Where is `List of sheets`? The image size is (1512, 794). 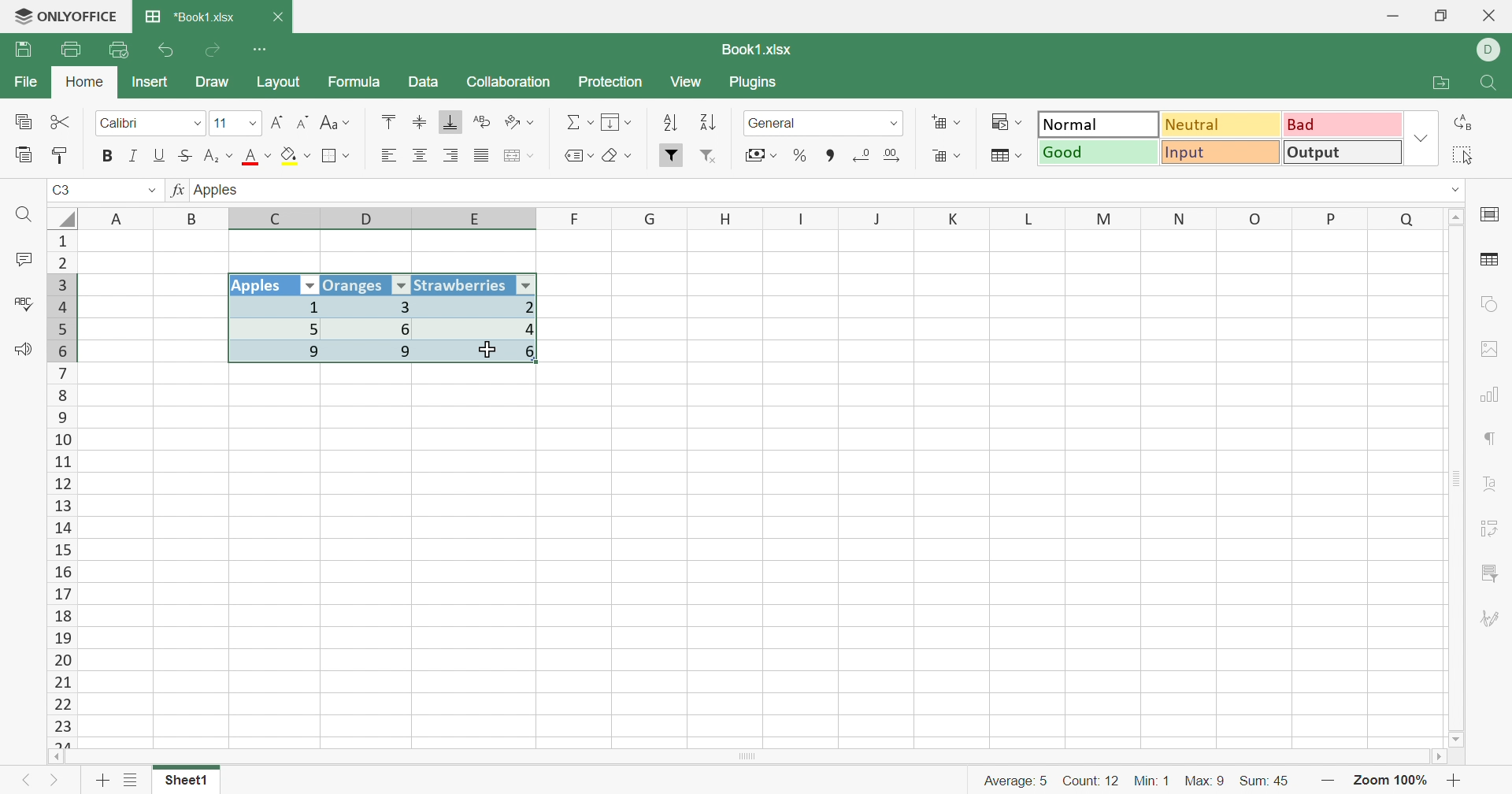 List of sheets is located at coordinates (130, 781).